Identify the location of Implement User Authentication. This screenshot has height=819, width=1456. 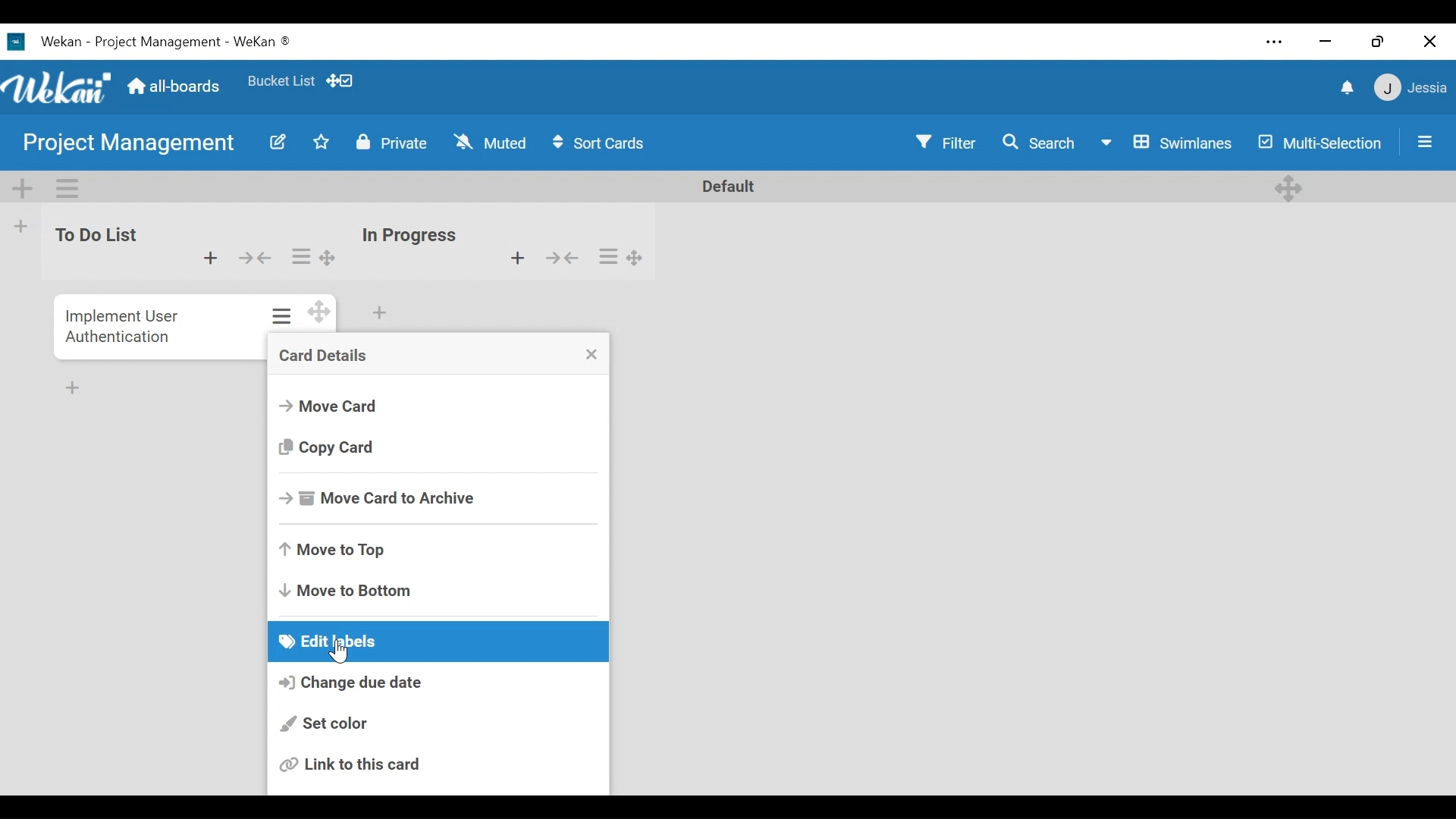
(124, 324).